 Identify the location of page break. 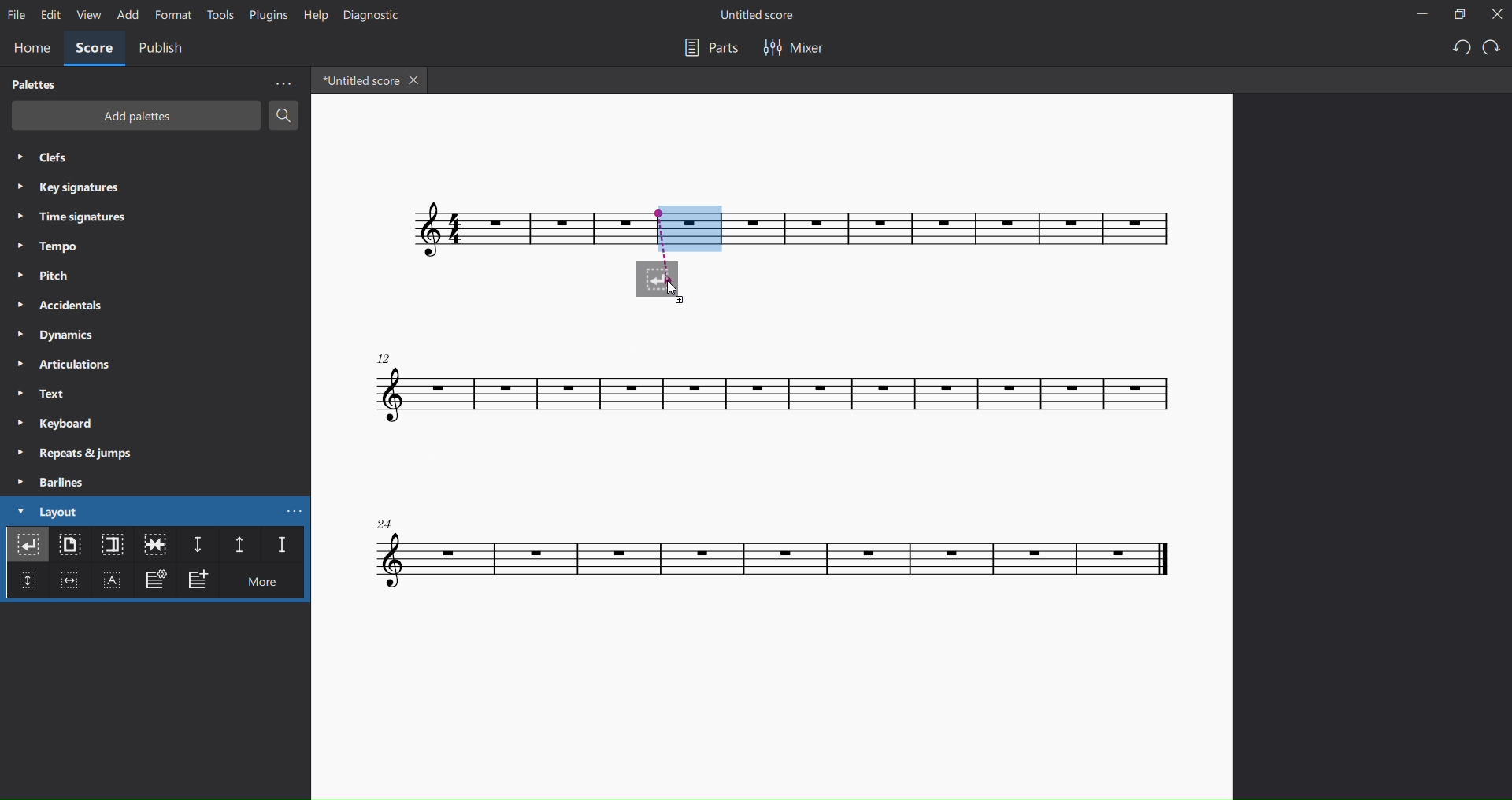
(71, 547).